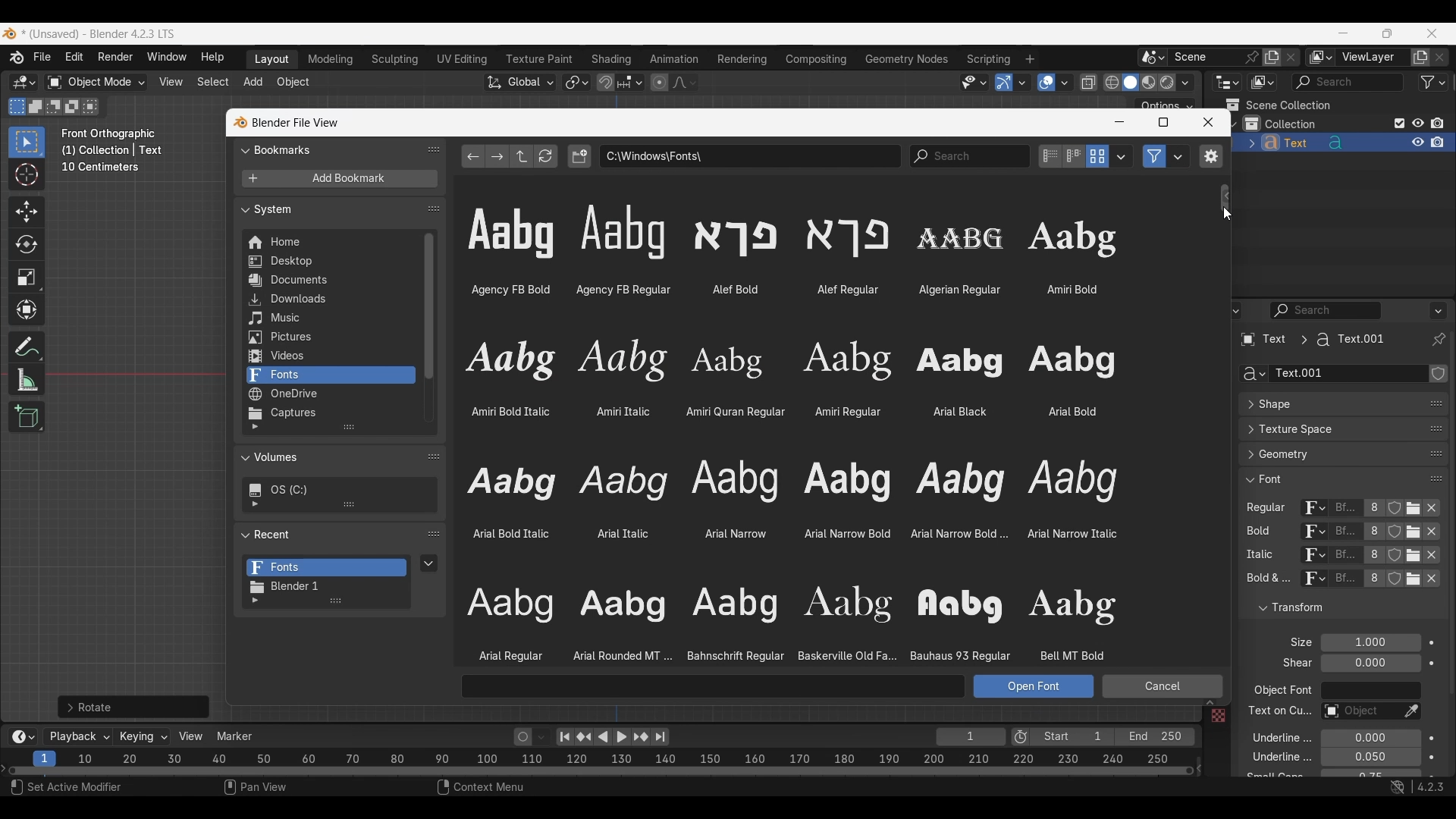  What do you see at coordinates (1346, 557) in the screenshot?
I see `` at bounding box center [1346, 557].